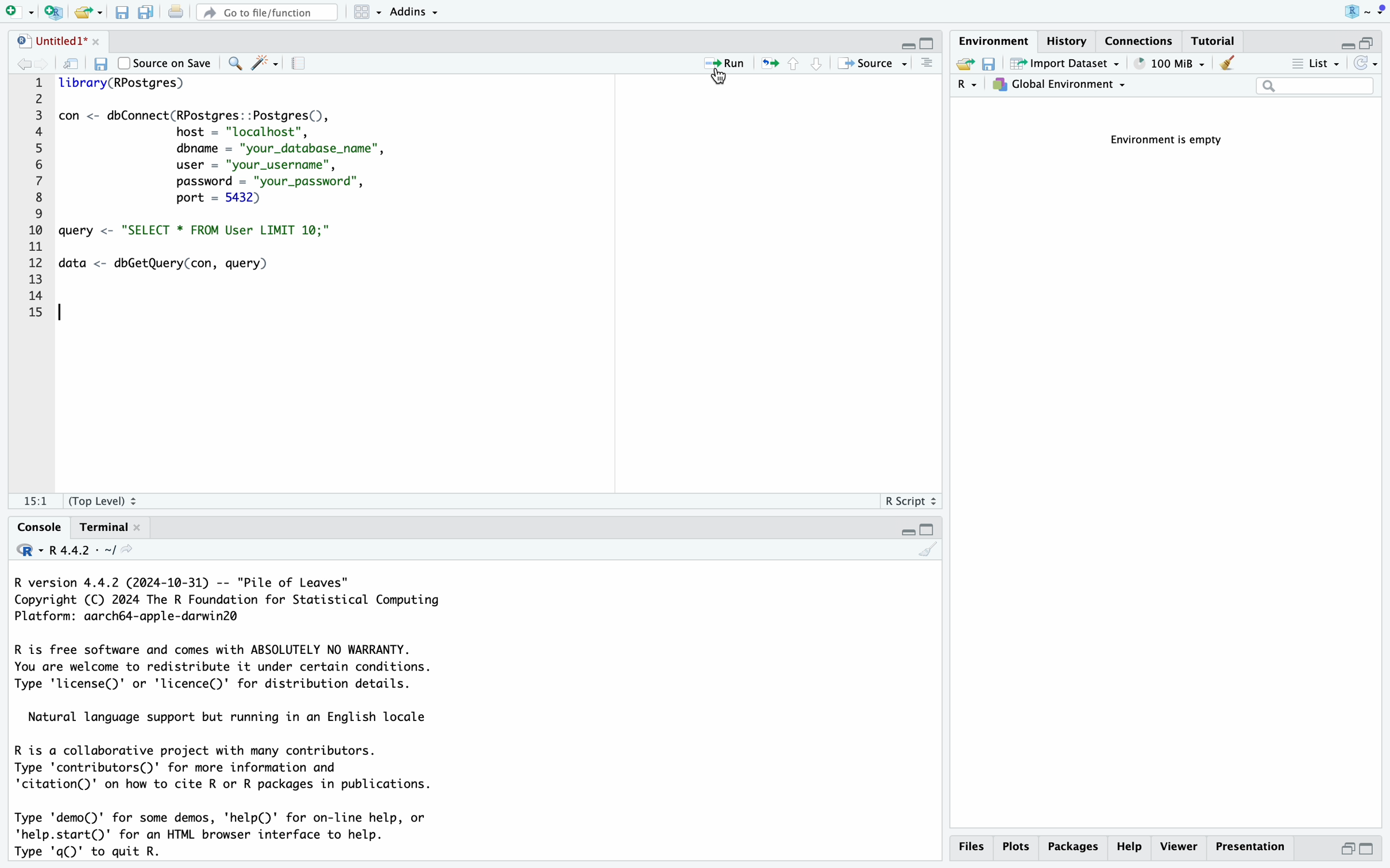 The image size is (1390, 868). Describe the element at coordinates (89, 12) in the screenshot. I see `open an existing file` at that location.